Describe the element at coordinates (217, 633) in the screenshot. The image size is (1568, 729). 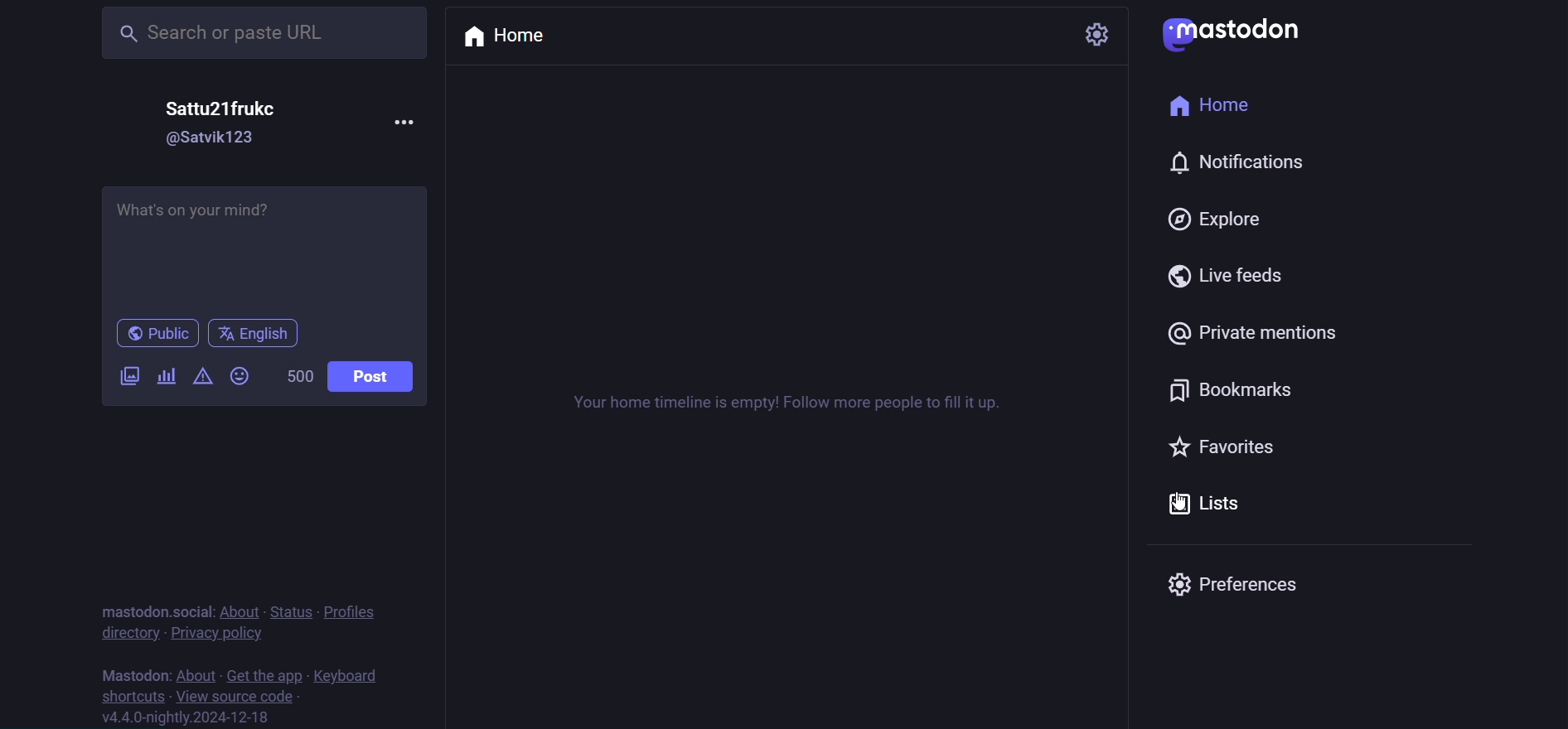
I see `privacy policy` at that location.